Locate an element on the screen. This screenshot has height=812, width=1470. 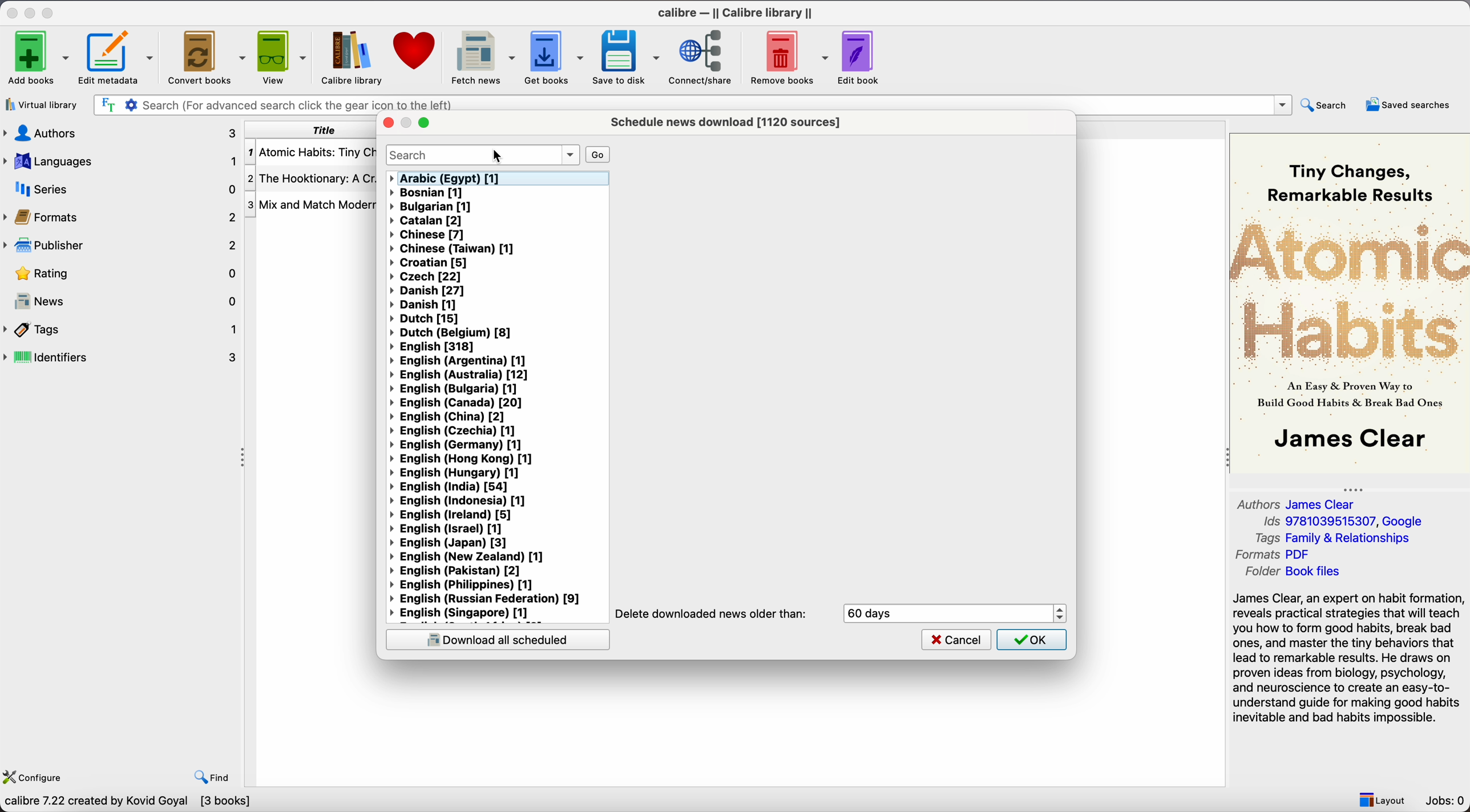
English (Australia) [12] is located at coordinates (458, 374).